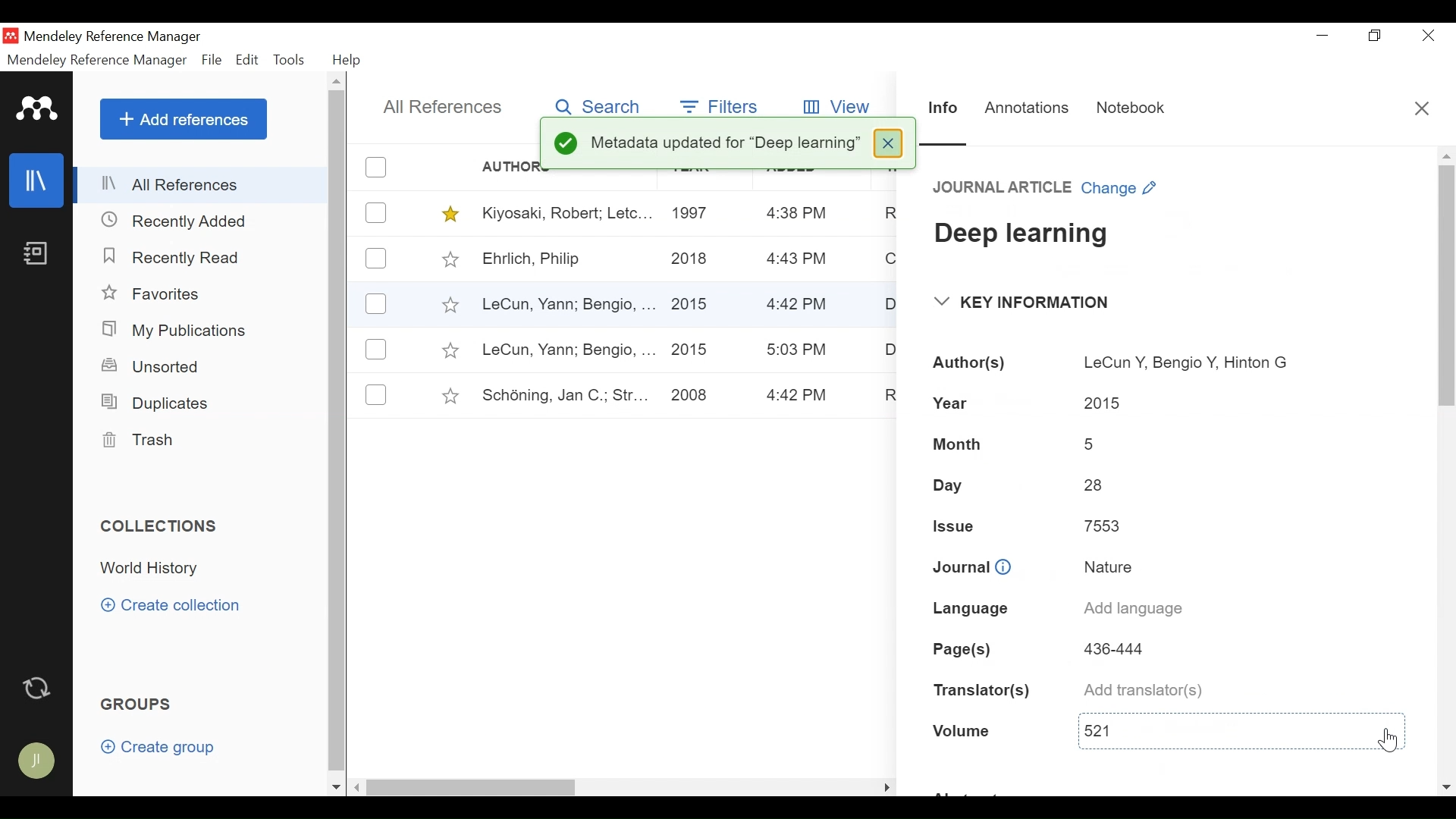 The image size is (1456, 819). Describe the element at coordinates (1184, 363) in the screenshot. I see `LeCun Y, Bengio Y, Hinton G` at that location.